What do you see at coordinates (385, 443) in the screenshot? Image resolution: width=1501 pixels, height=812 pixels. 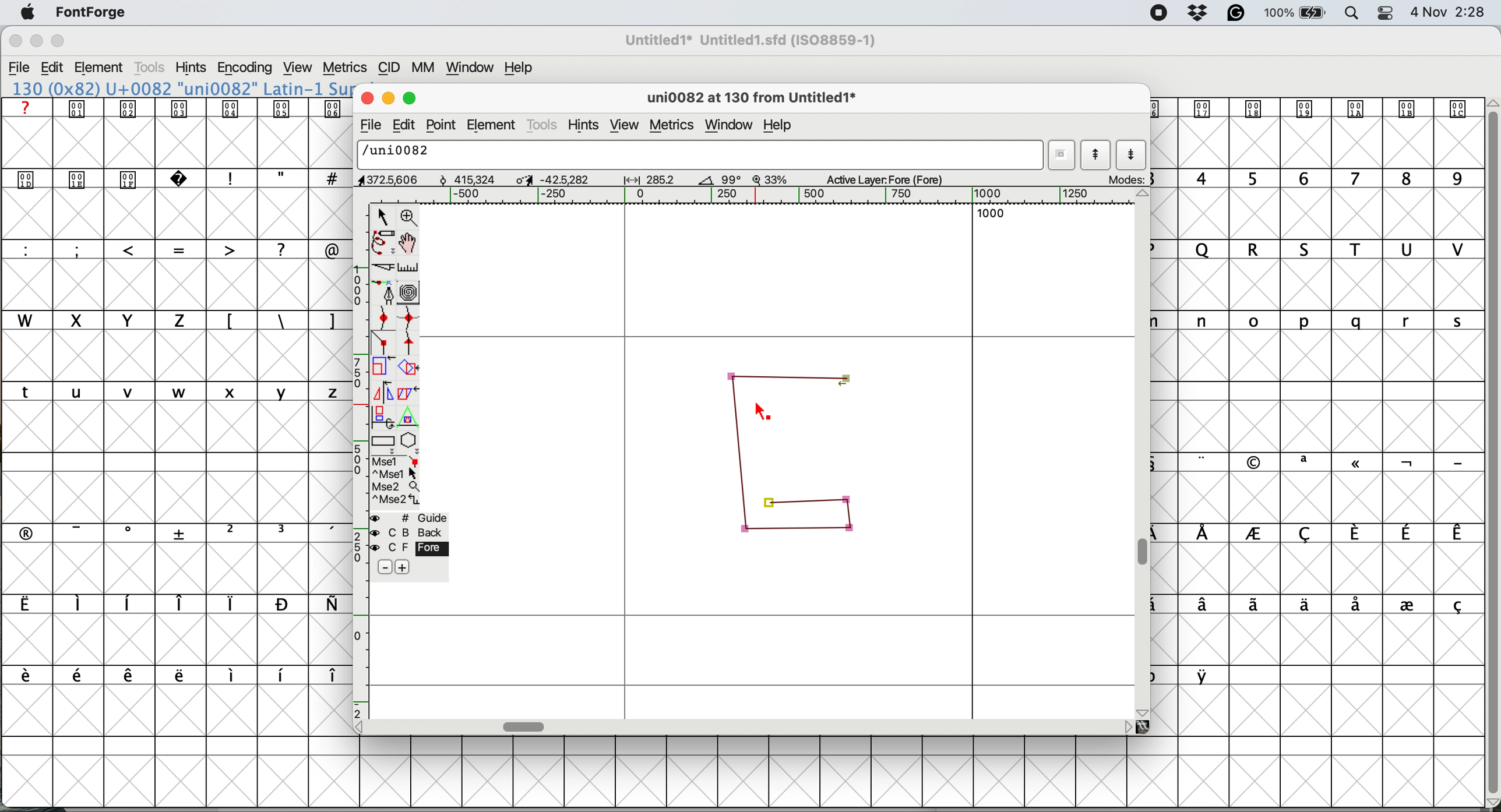 I see `rectangles and ellipses` at bounding box center [385, 443].